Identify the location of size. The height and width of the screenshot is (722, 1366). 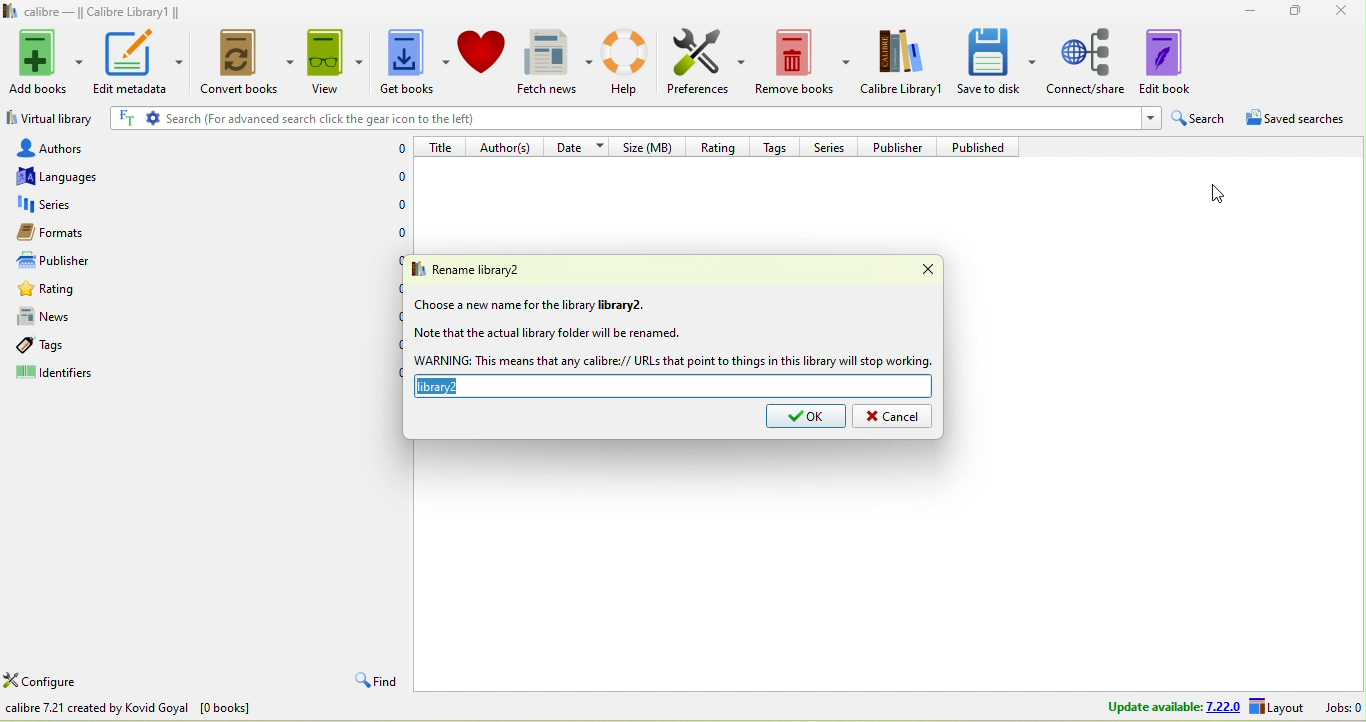
(651, 146).